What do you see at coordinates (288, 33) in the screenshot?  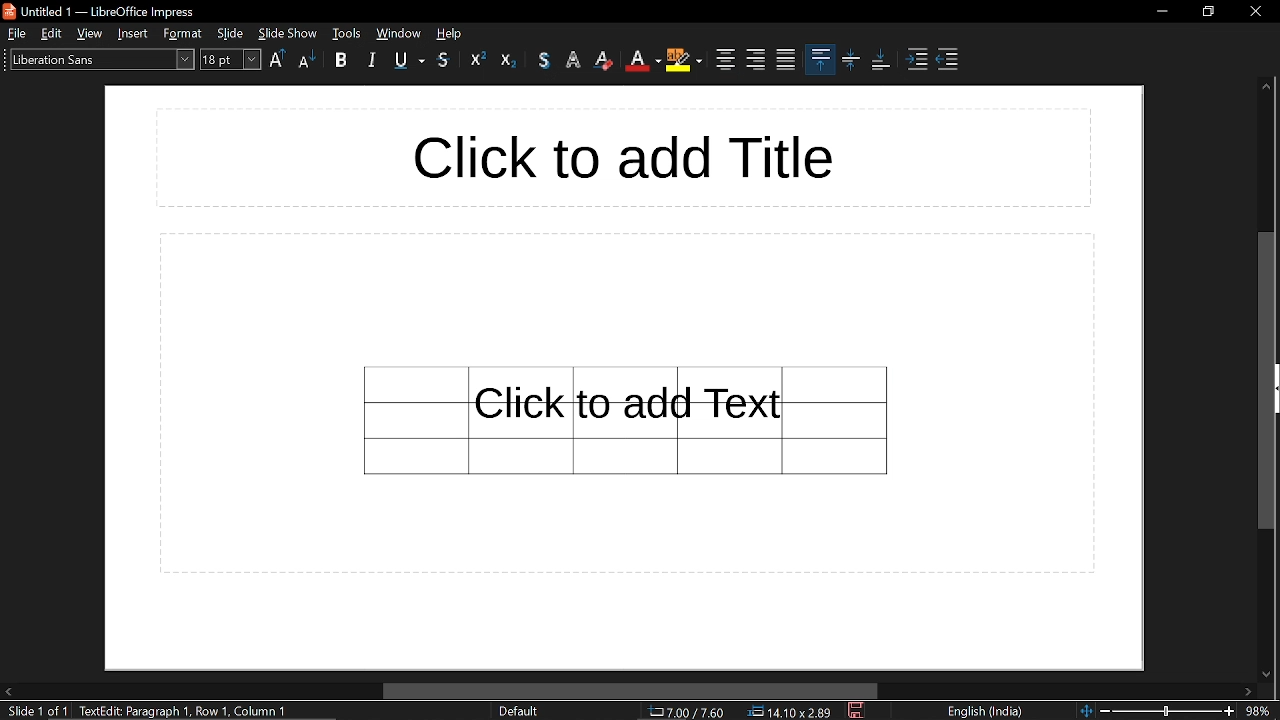 I see `slide show` at bounding box center [288, 33].